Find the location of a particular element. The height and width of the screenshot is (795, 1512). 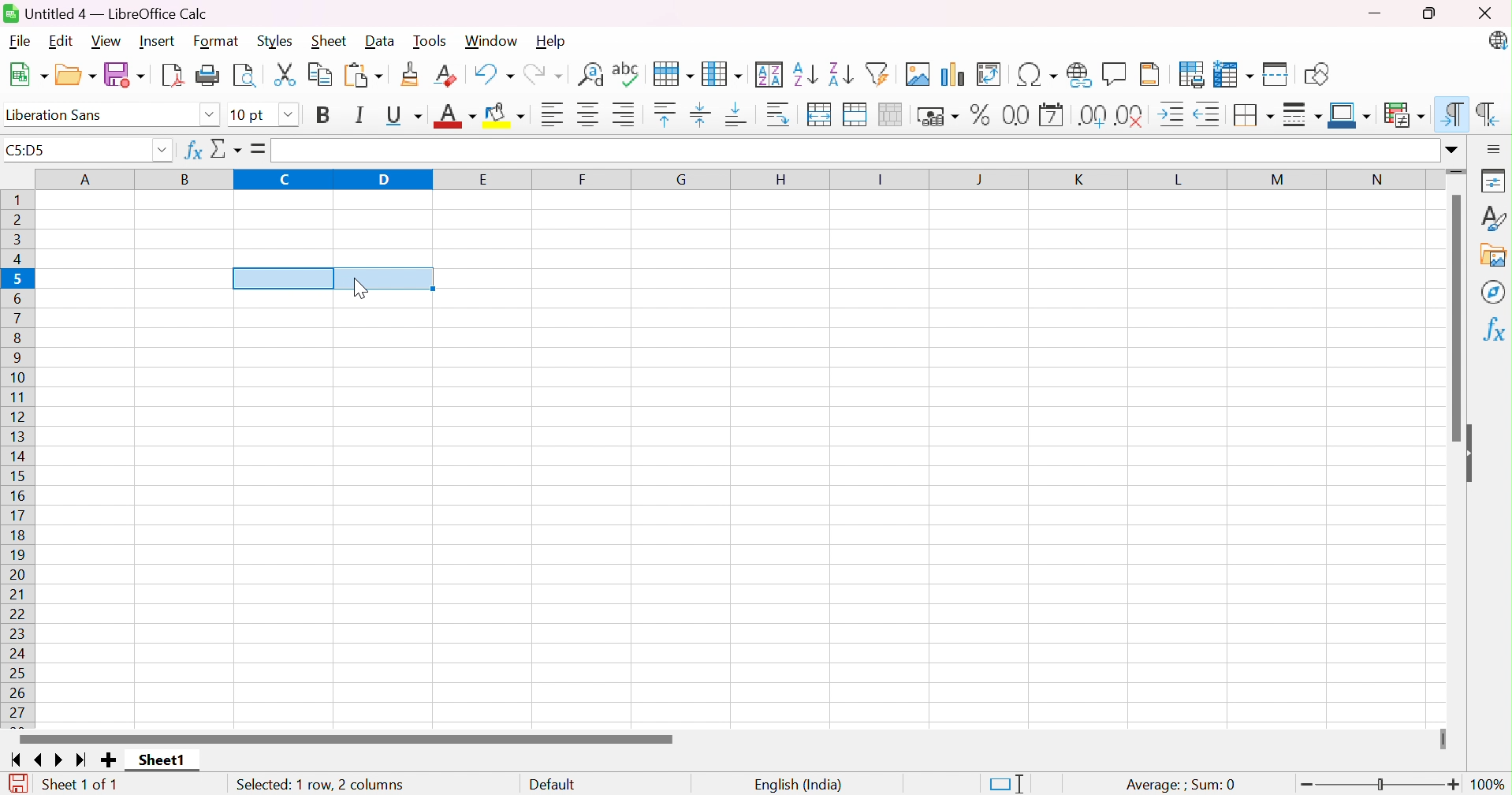

Default is located at coordinates (554, 782).